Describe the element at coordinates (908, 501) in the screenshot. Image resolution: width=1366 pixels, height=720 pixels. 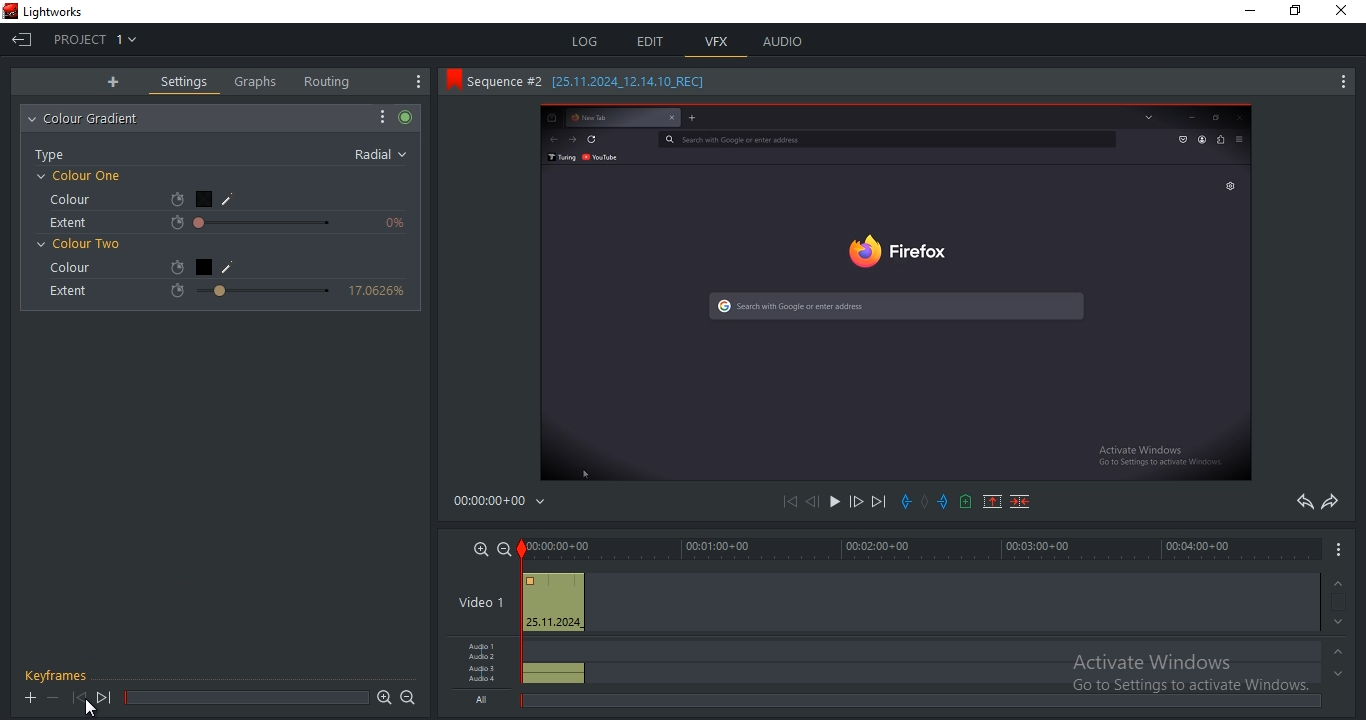
I see `mark in` at that location.